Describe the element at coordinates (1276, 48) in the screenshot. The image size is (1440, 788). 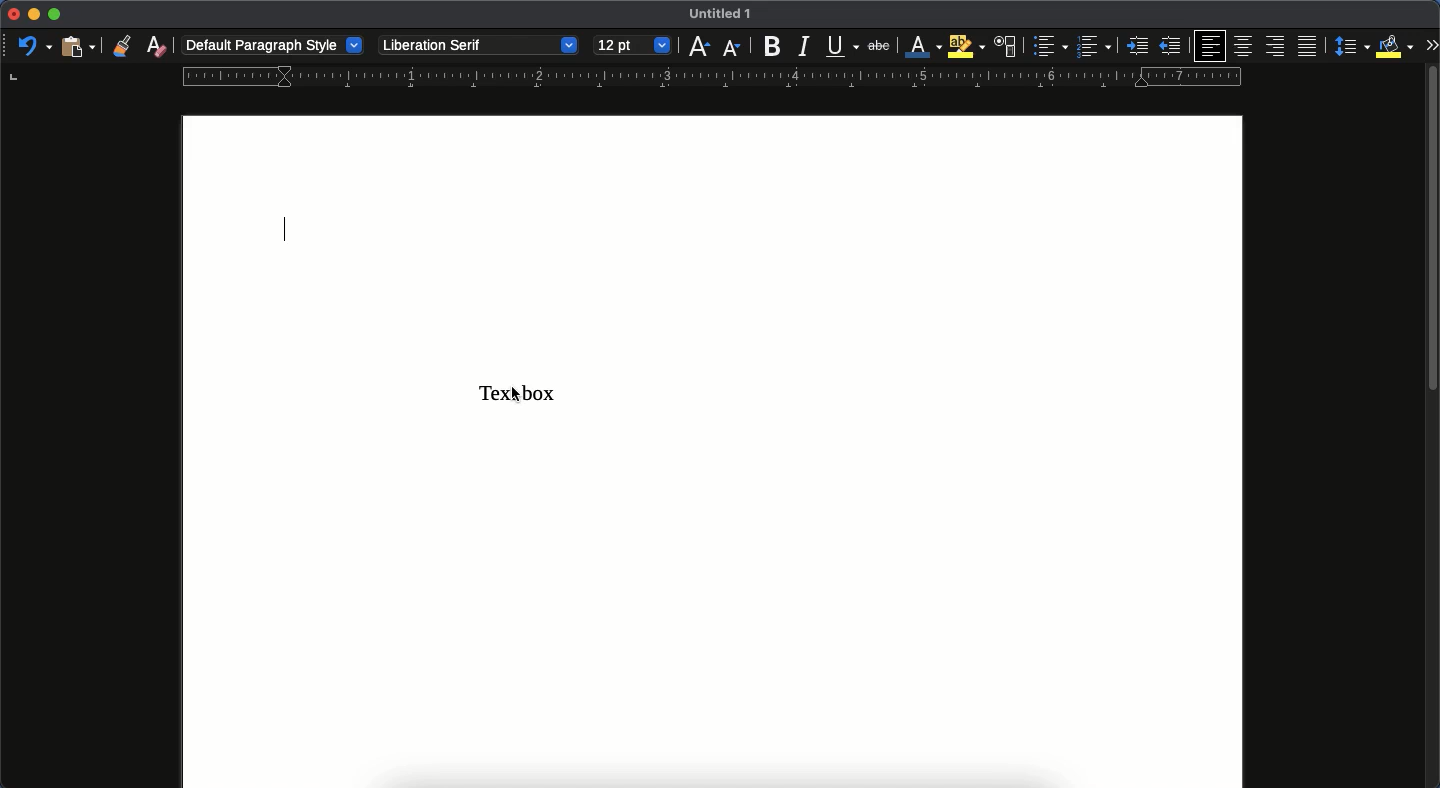
I see `right align` at that location.